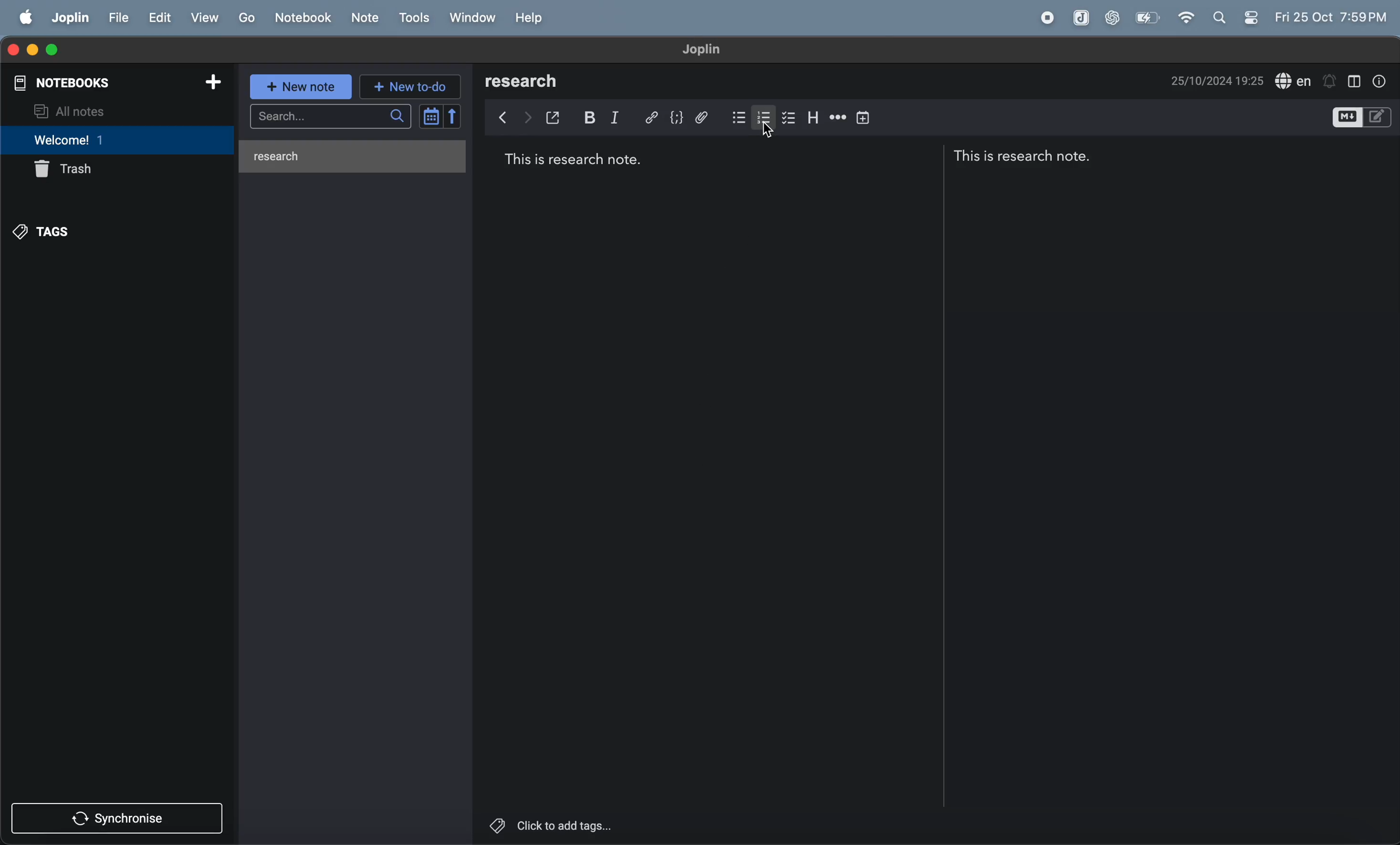 The width and height of the screenshot is (1400, 845). Describe the element at coordinates (534, 19) in the screenshot. I see `help` at that location.